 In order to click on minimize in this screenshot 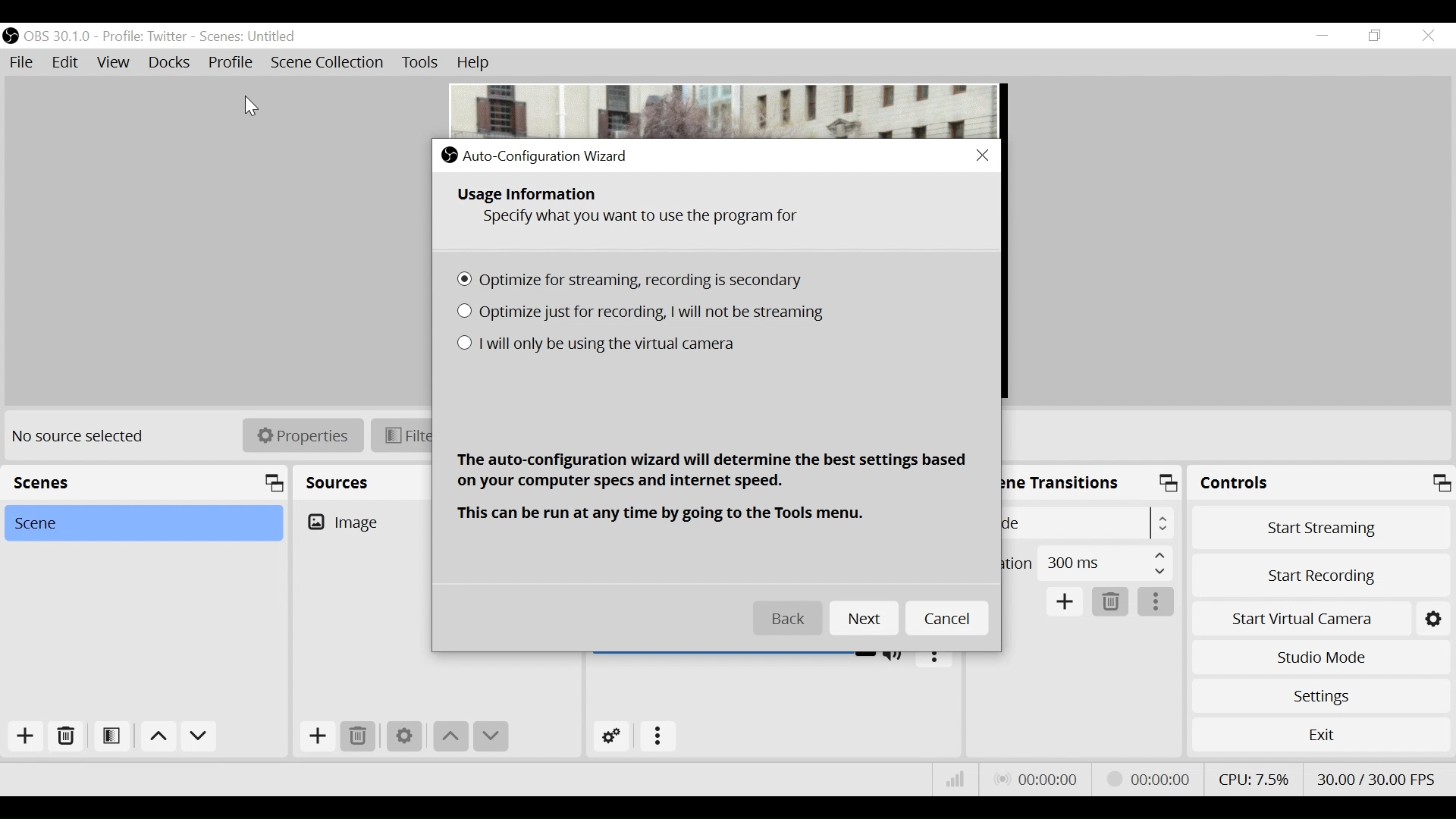, I will do `click(1321, 37)`.